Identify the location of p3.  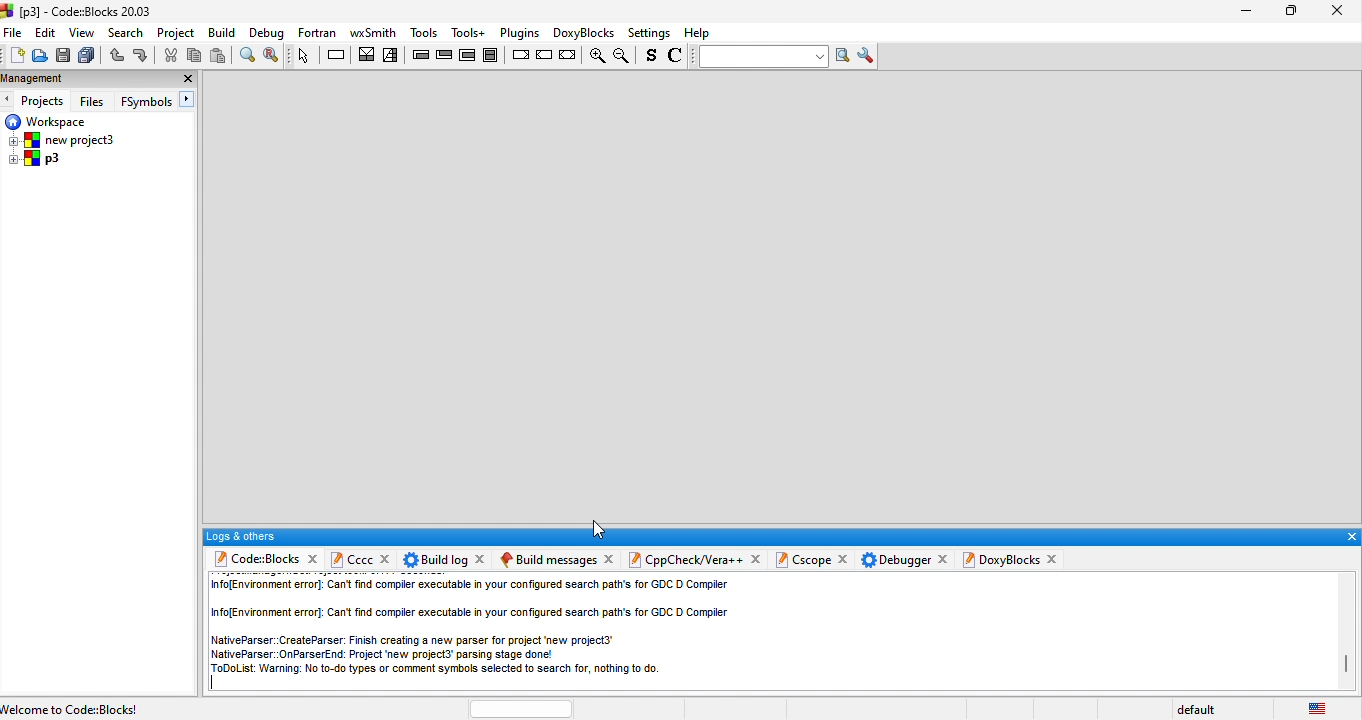
(36, 160).